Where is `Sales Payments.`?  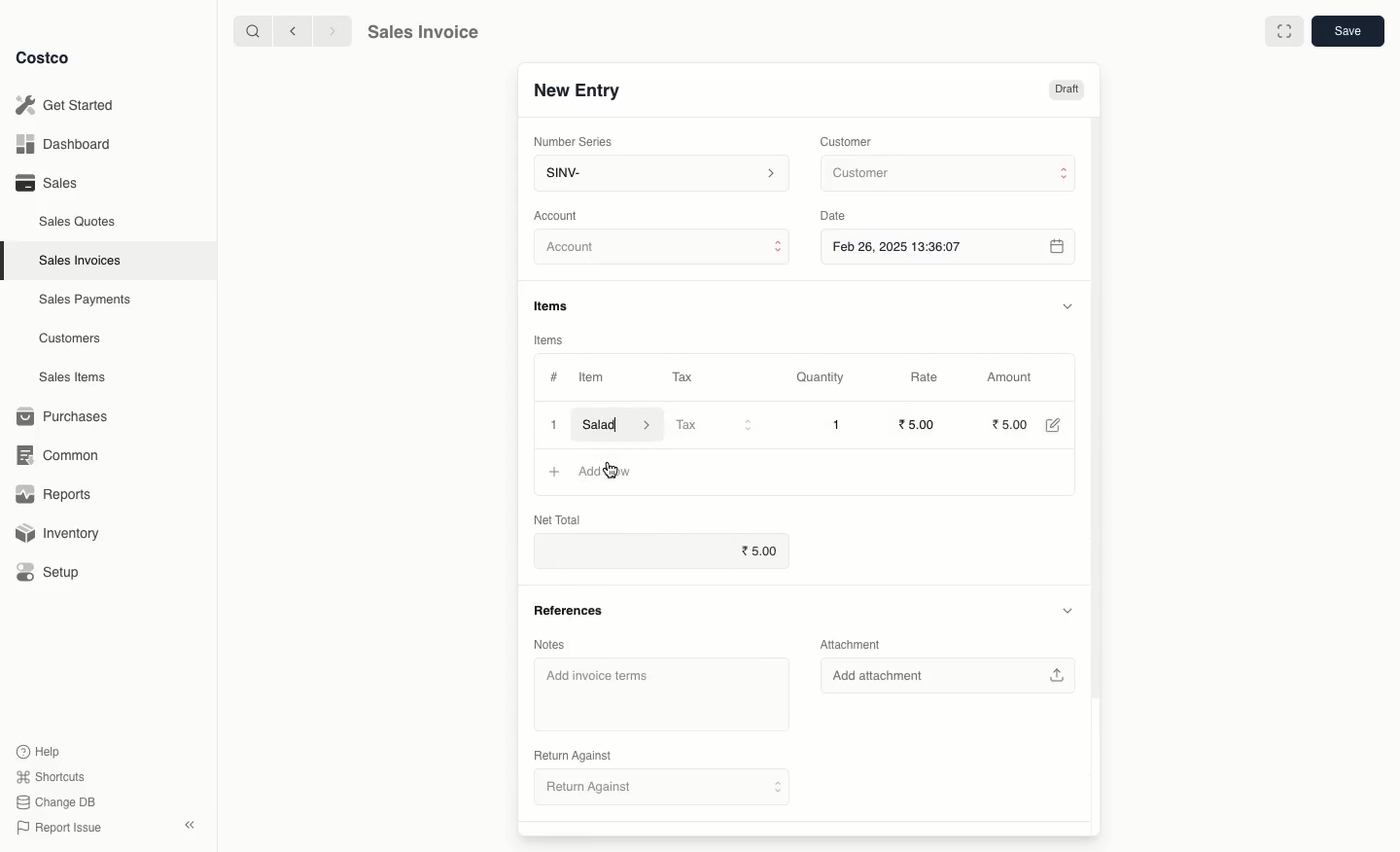
Sales Payments. is located at coordinates (87, 302).